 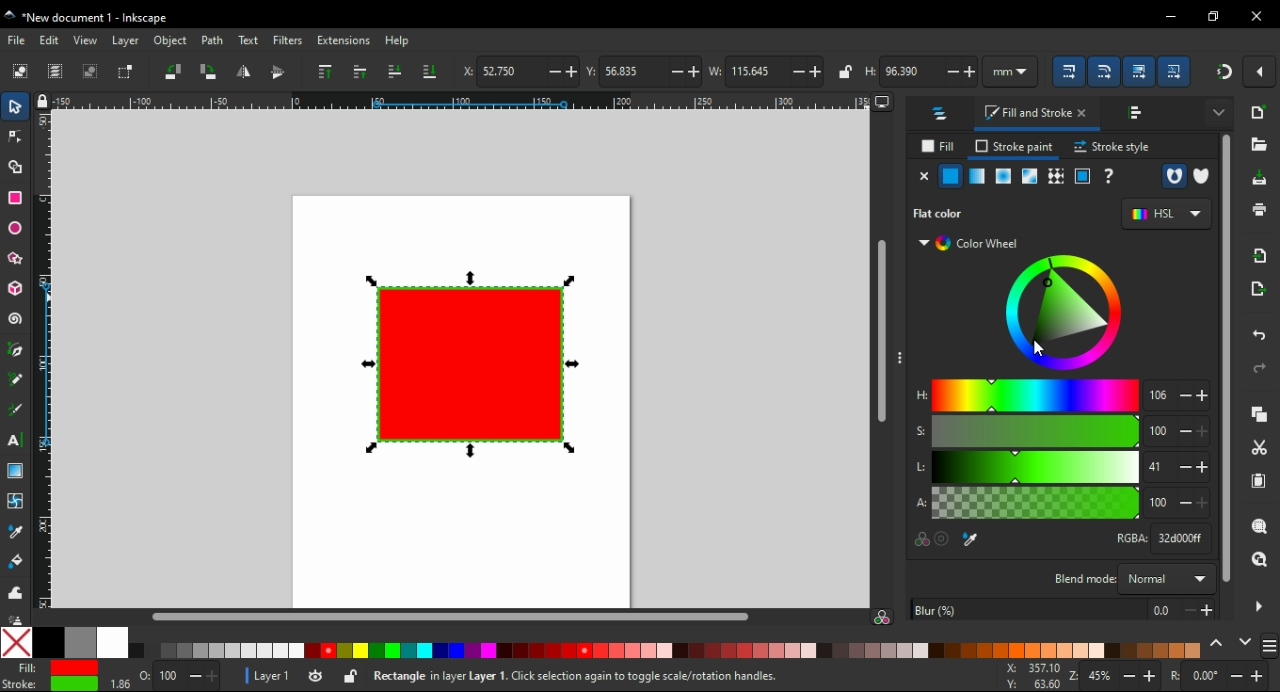 I want to click on vertical coordinates of selection, so click(x=588, y=71).